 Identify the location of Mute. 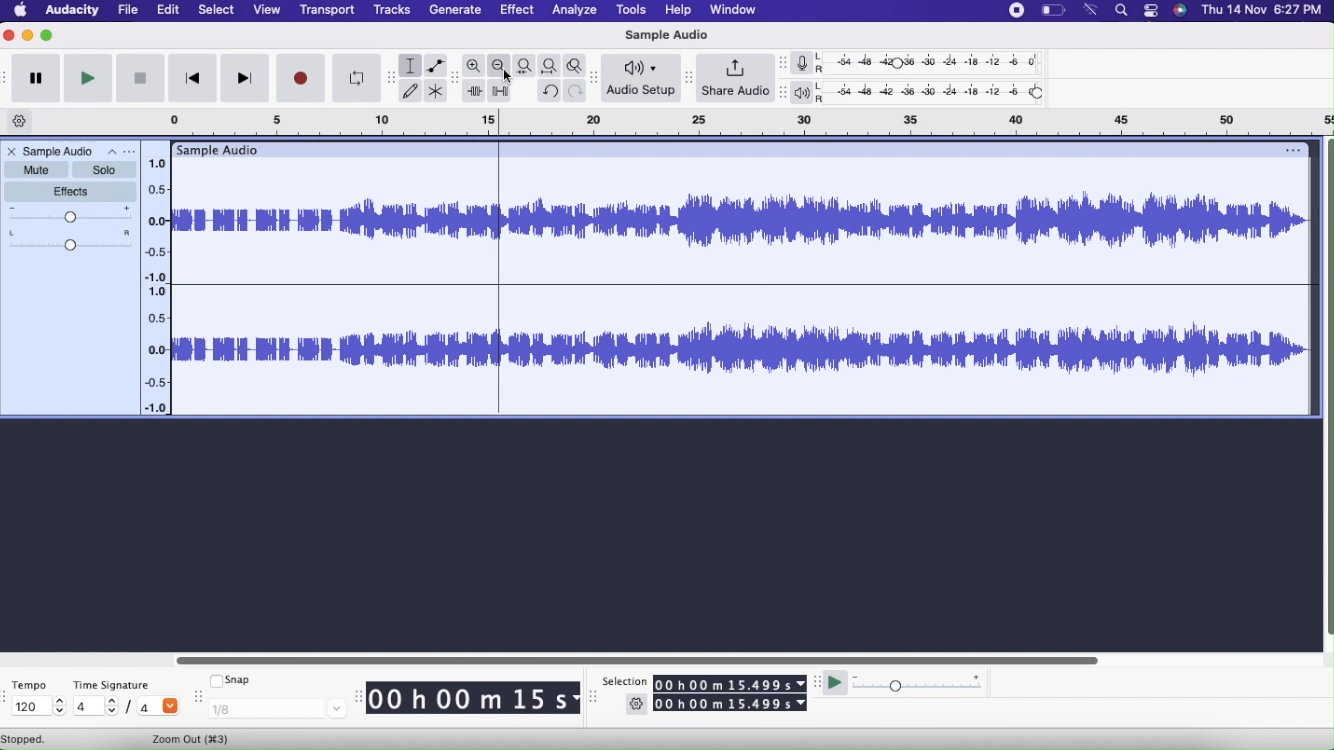
(36, 169).